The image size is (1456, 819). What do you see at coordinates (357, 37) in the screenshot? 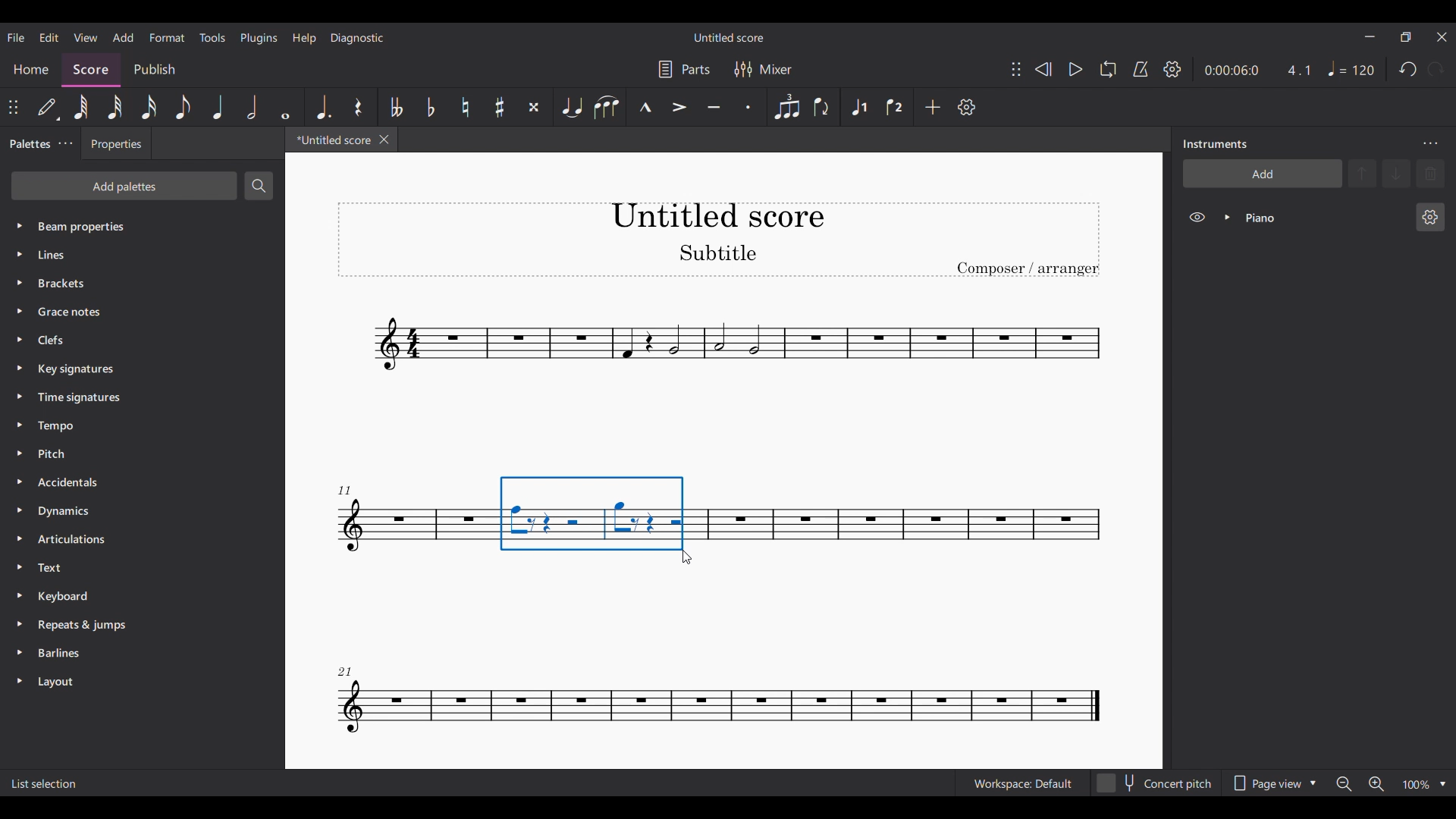
I see `Diagnostic menu` at bounding box center [357, 37].